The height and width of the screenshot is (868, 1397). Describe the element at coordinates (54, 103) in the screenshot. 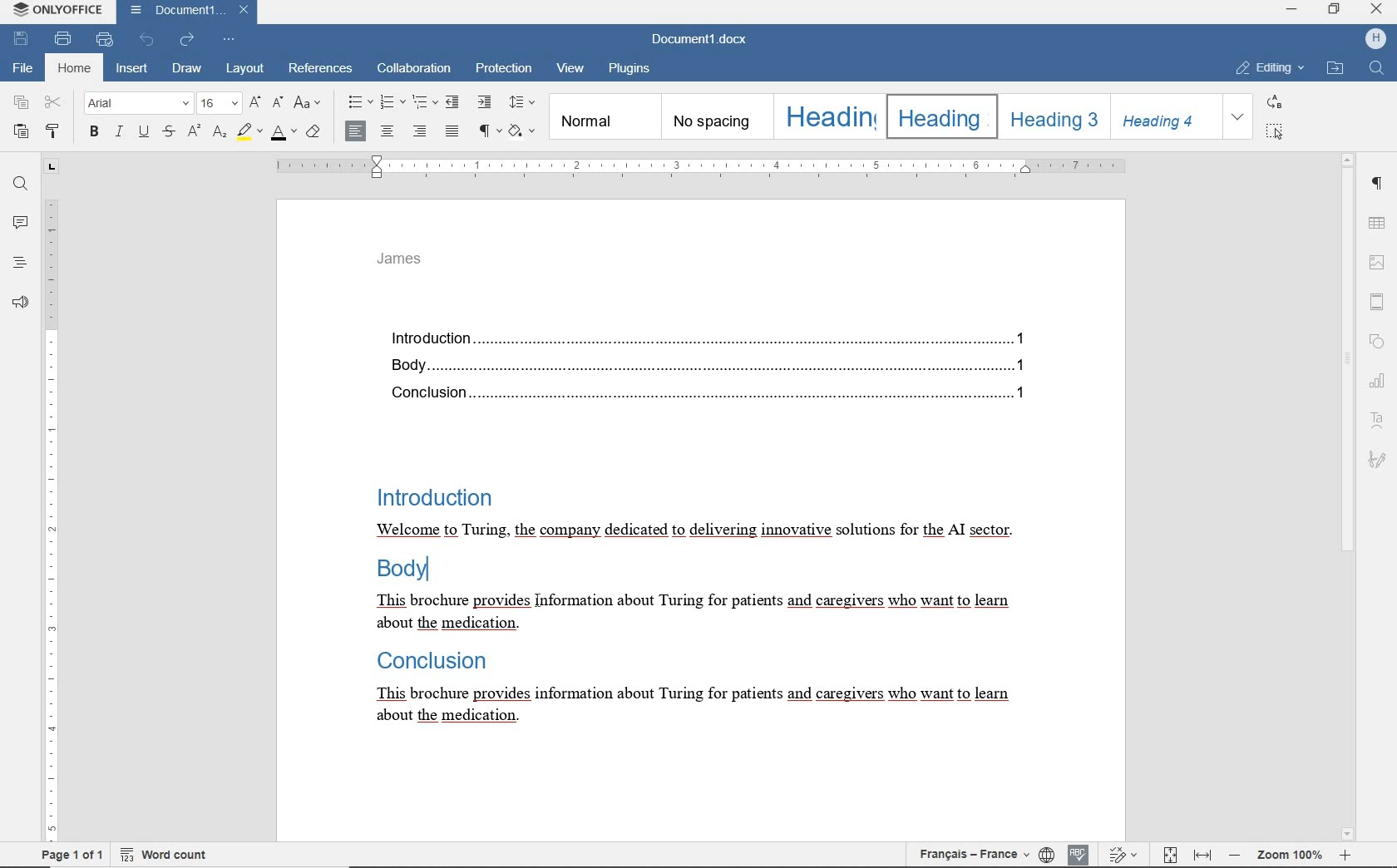

I see `CUT` at that location.